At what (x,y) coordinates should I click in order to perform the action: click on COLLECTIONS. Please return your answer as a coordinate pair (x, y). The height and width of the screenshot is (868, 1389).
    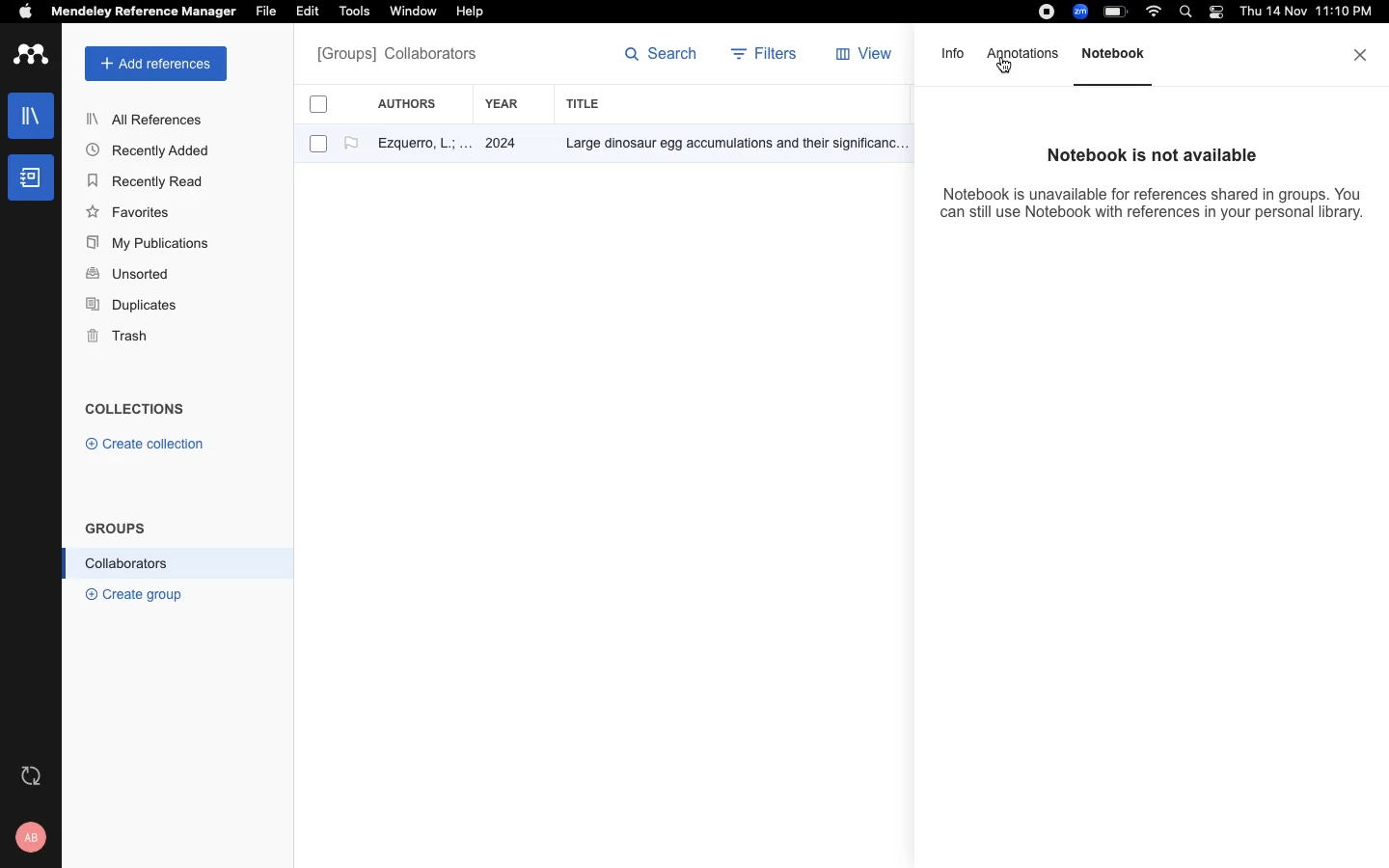
    Looking at the image, I should click on (135, 411).